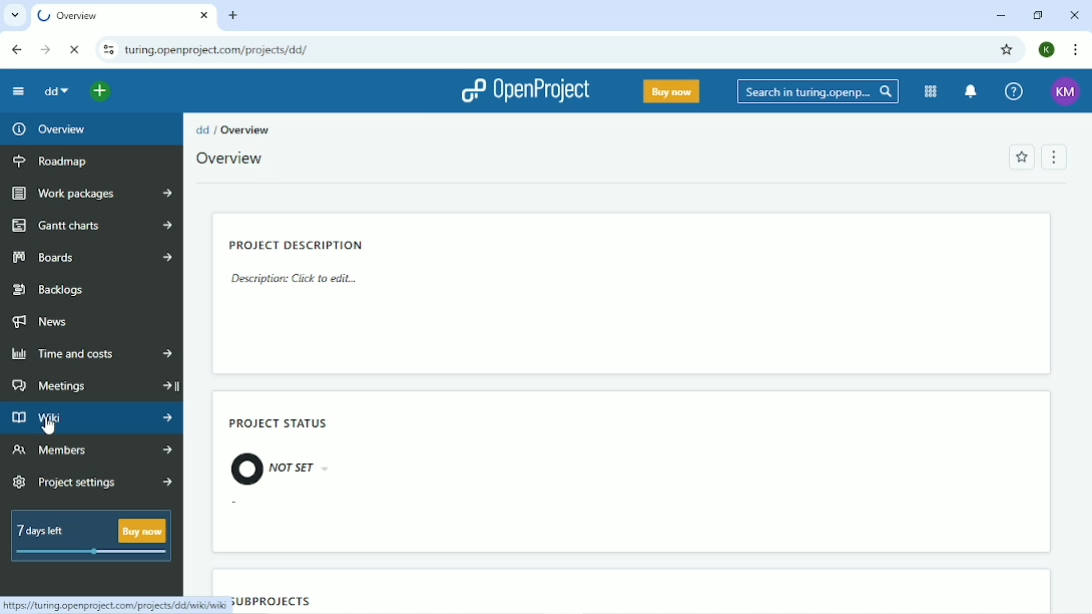 The image size is (1092, 614). What do you see at coordinates (279, 423) in the screenshot?
I see `Project status` at bounding box center [279, 423].